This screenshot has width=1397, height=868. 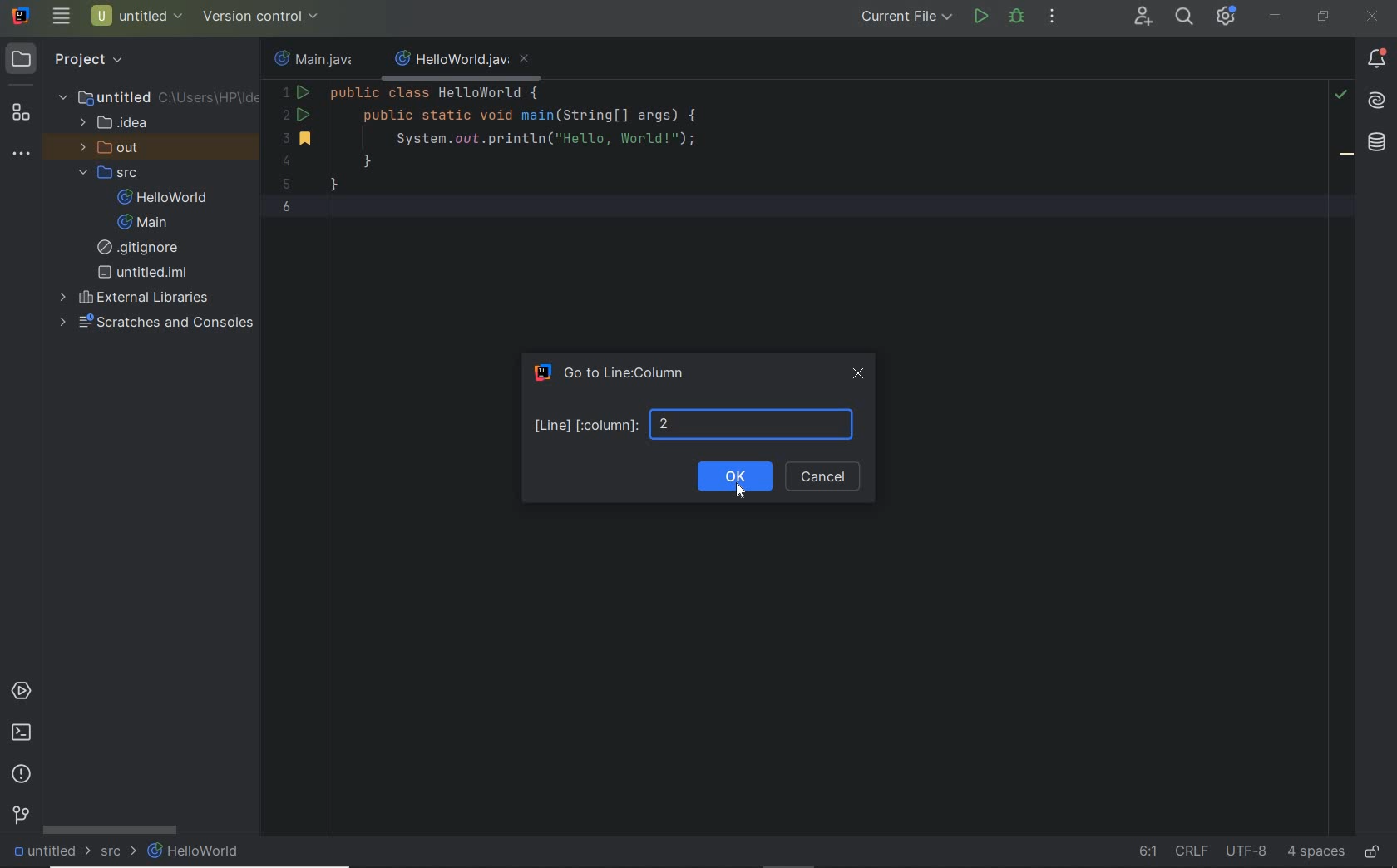 What do you see at coordinates (1148, 849) in the screenshot?
I see `go to line` at bounding box center [1148, 849].